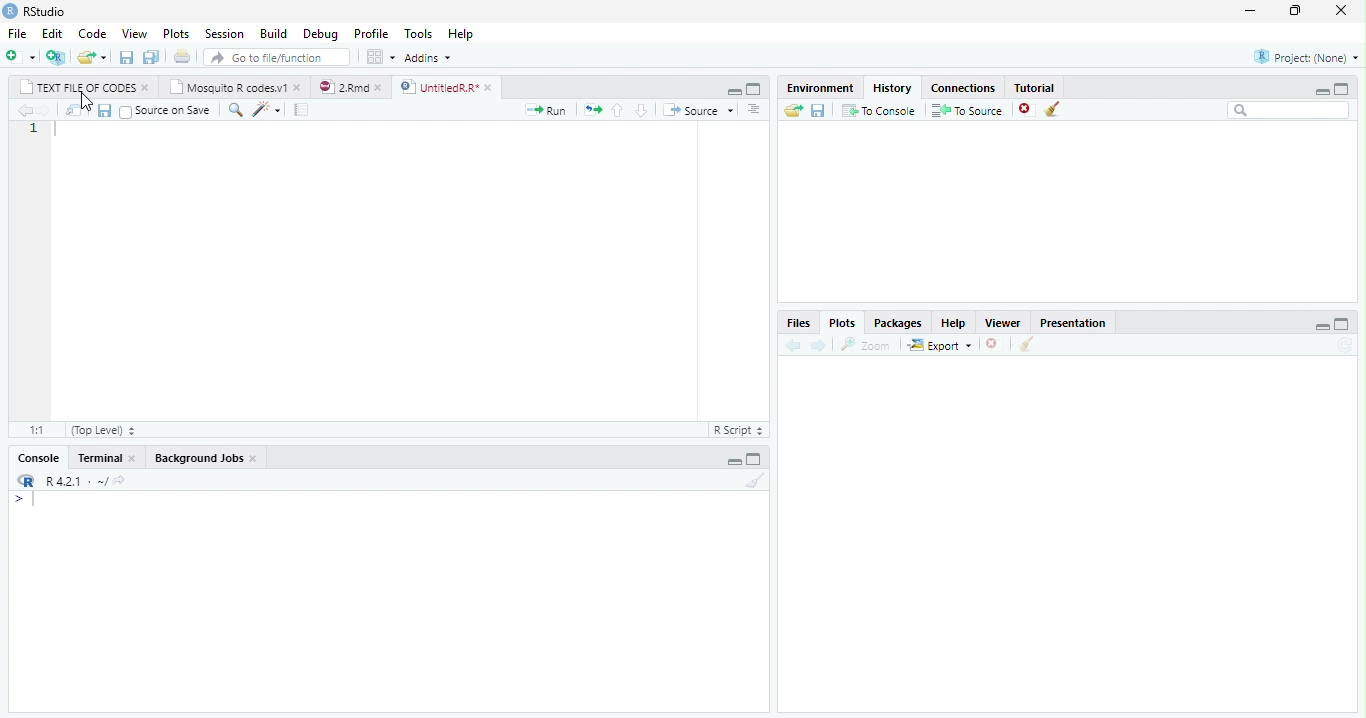 The image size is (1366, 718). Describe the element at coordinates (1343, 325) in the screenshot. I see `maximize` at that location.